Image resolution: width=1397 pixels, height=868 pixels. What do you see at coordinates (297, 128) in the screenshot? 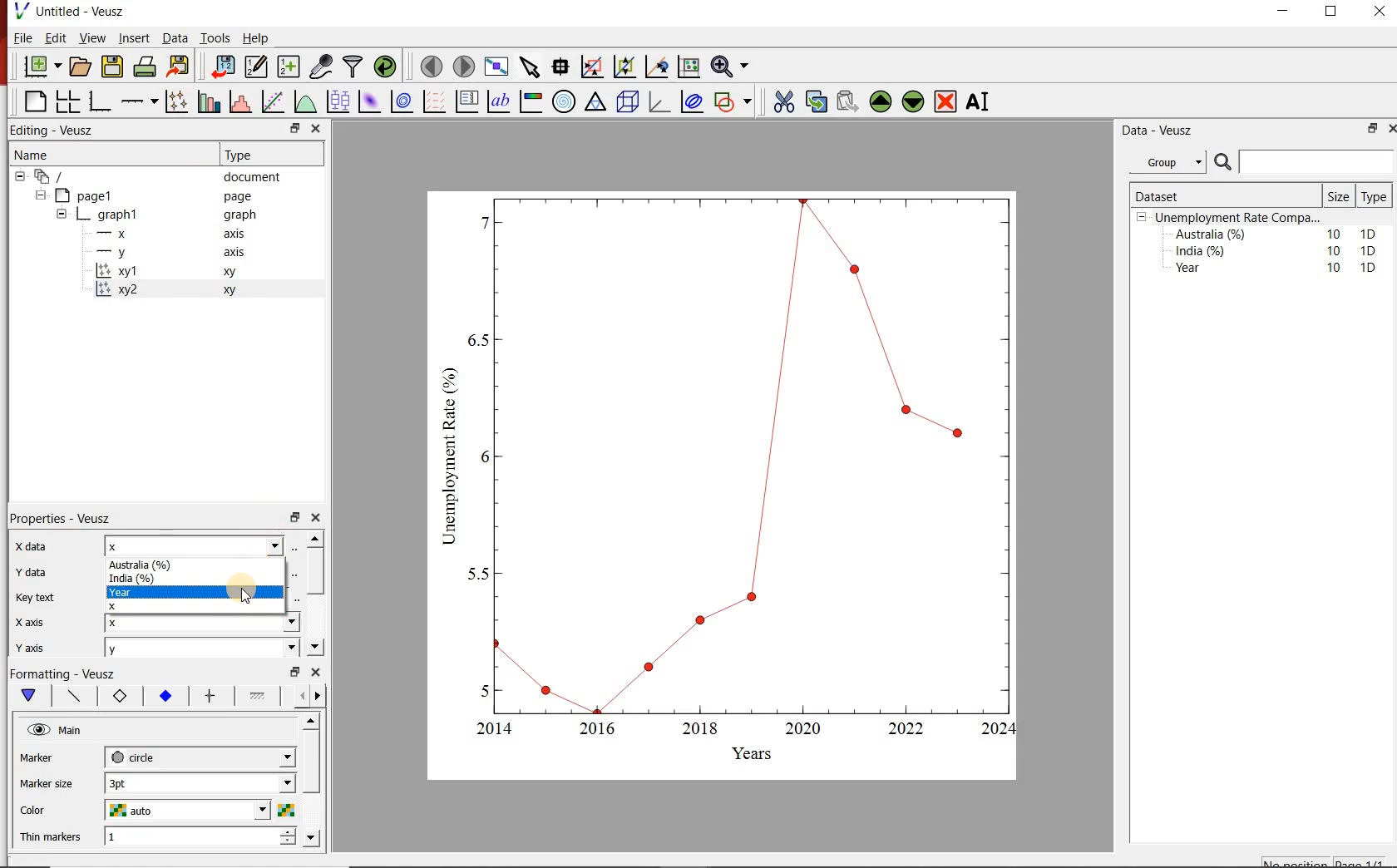
I see `minimise` at bounding box center [297, 128].